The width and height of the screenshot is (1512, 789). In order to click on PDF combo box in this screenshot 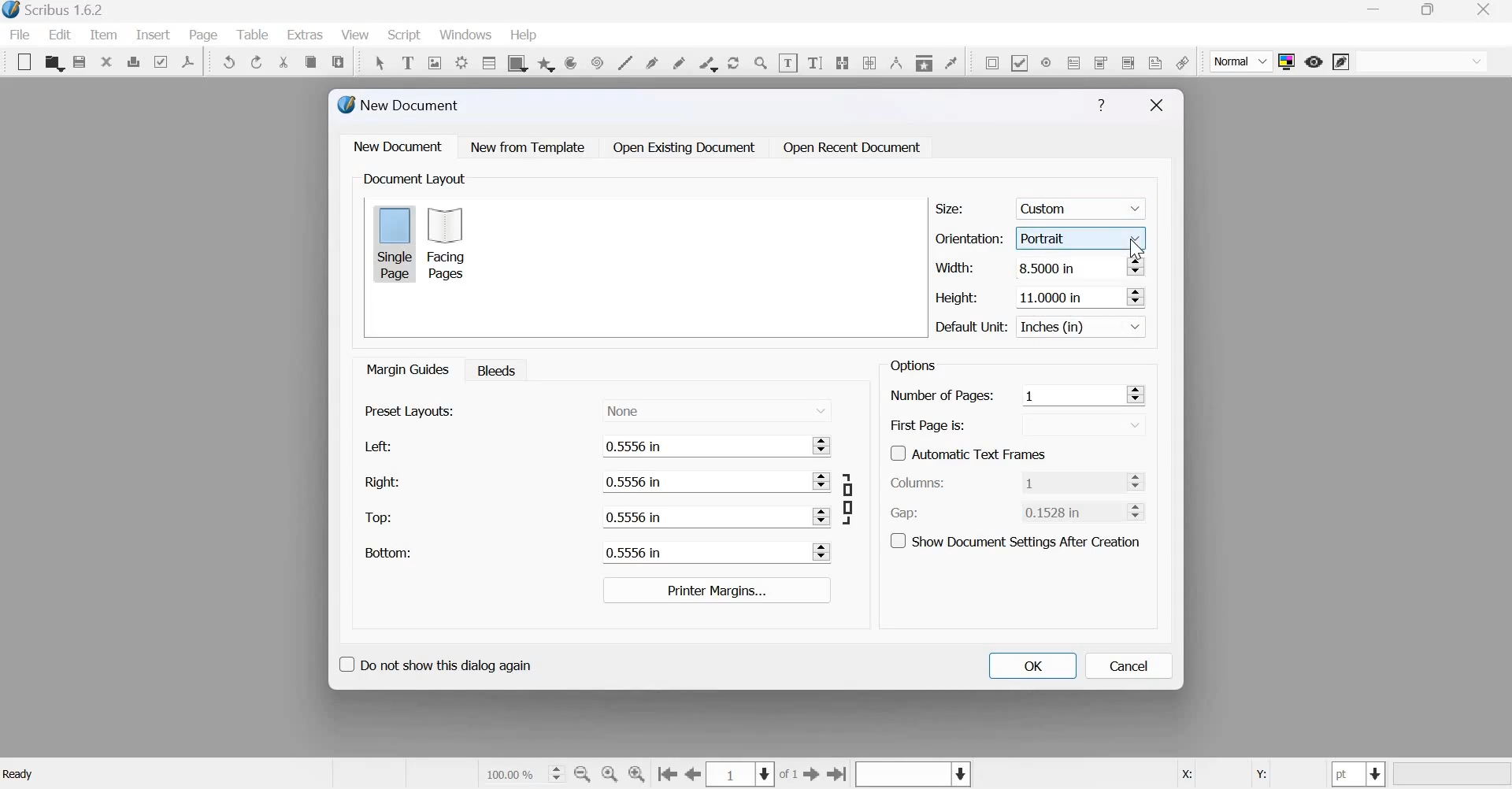, I will do `click(1099, 62)`.